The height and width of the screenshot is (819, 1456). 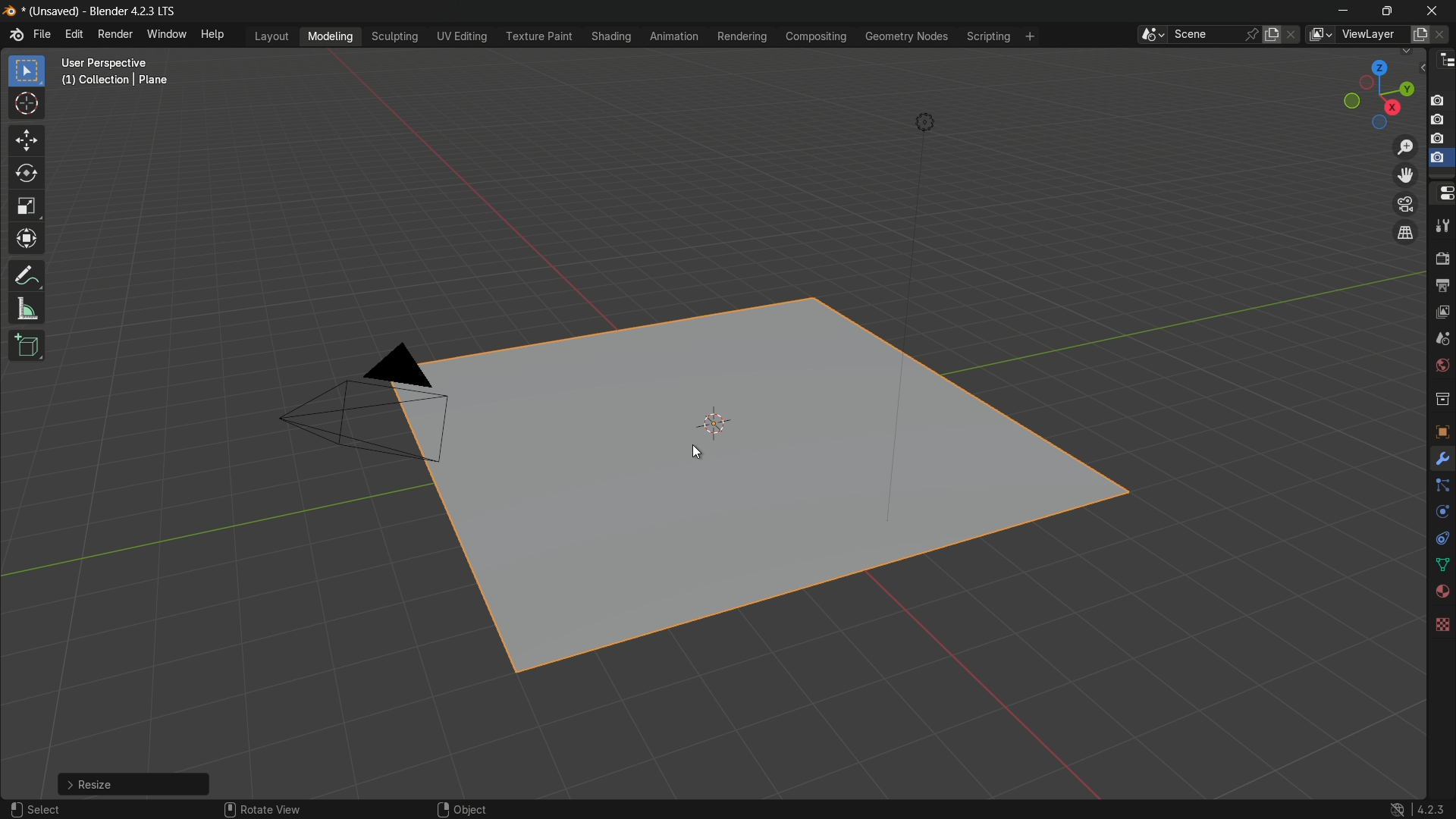 I want to click on constraints, so click(x=1442, y=538).